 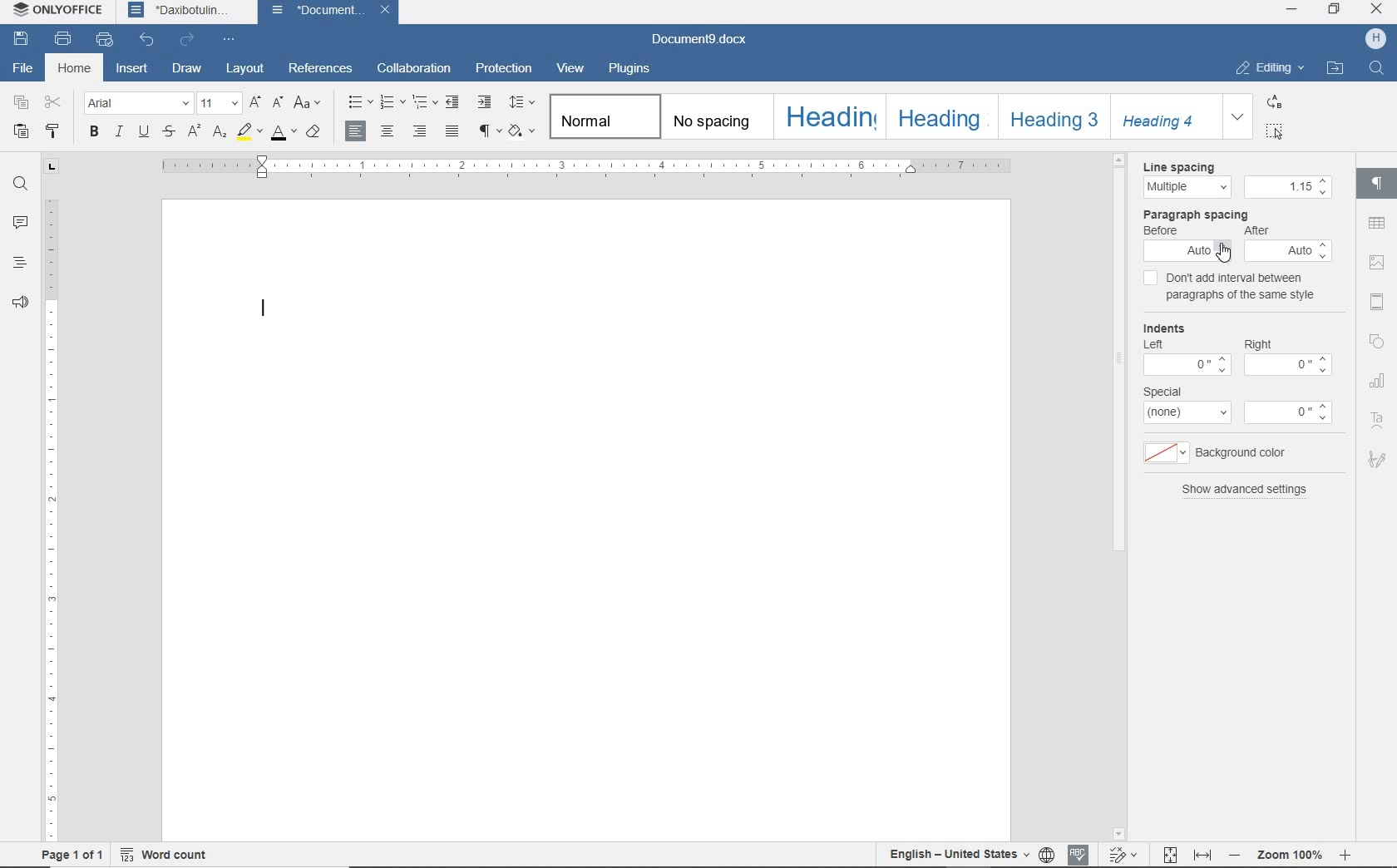 I want to click on copy style, so click(x=56, y=132).